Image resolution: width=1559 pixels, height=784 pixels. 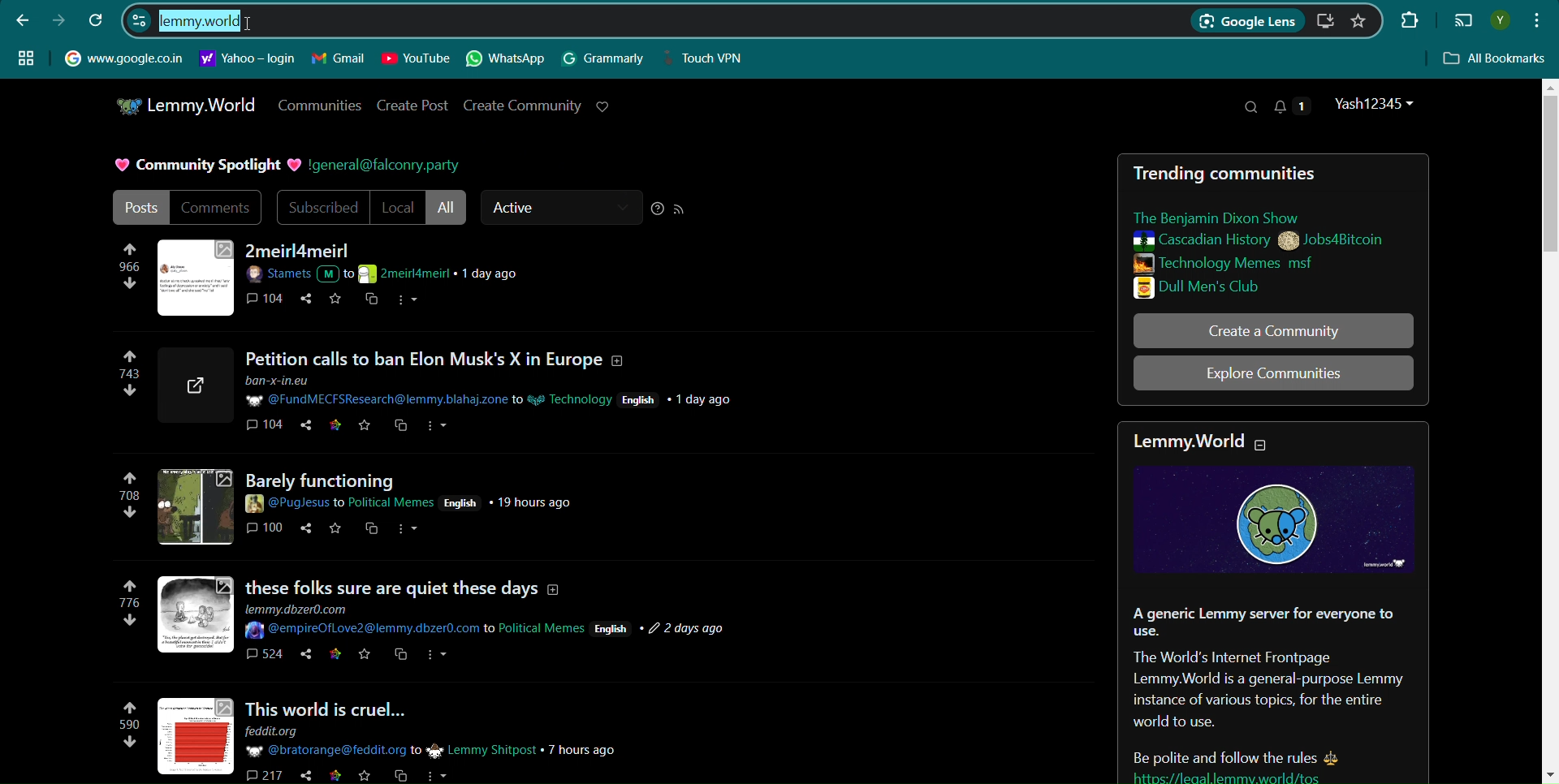 I want to click on share, so click(x=300, y=657).